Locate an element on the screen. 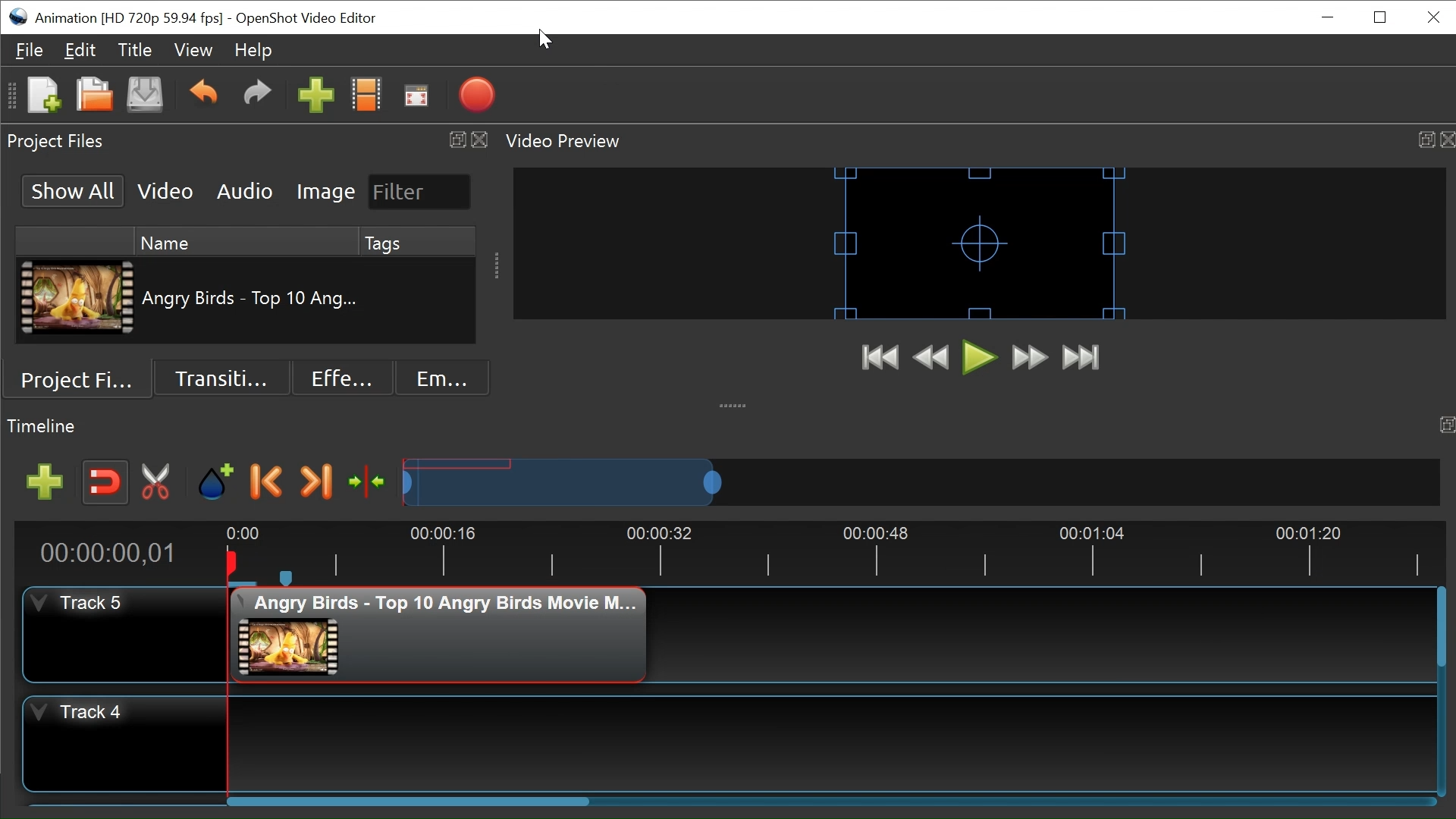 The image size is (1456, 819). OpenShot Video Editor is located at coordinates (307, 19).